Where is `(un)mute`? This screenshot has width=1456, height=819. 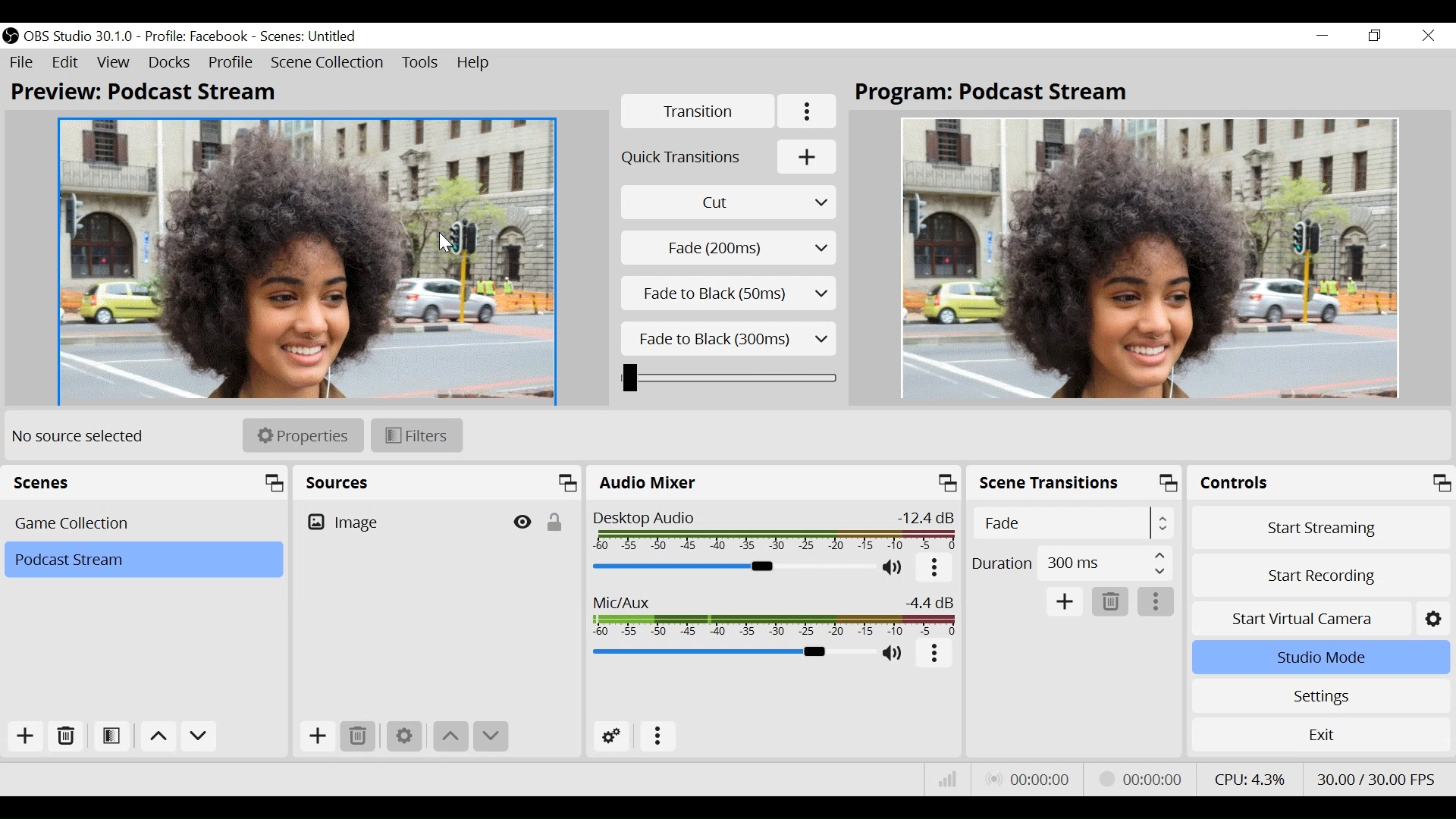 (un)mute is located at coordinates (894, 654).